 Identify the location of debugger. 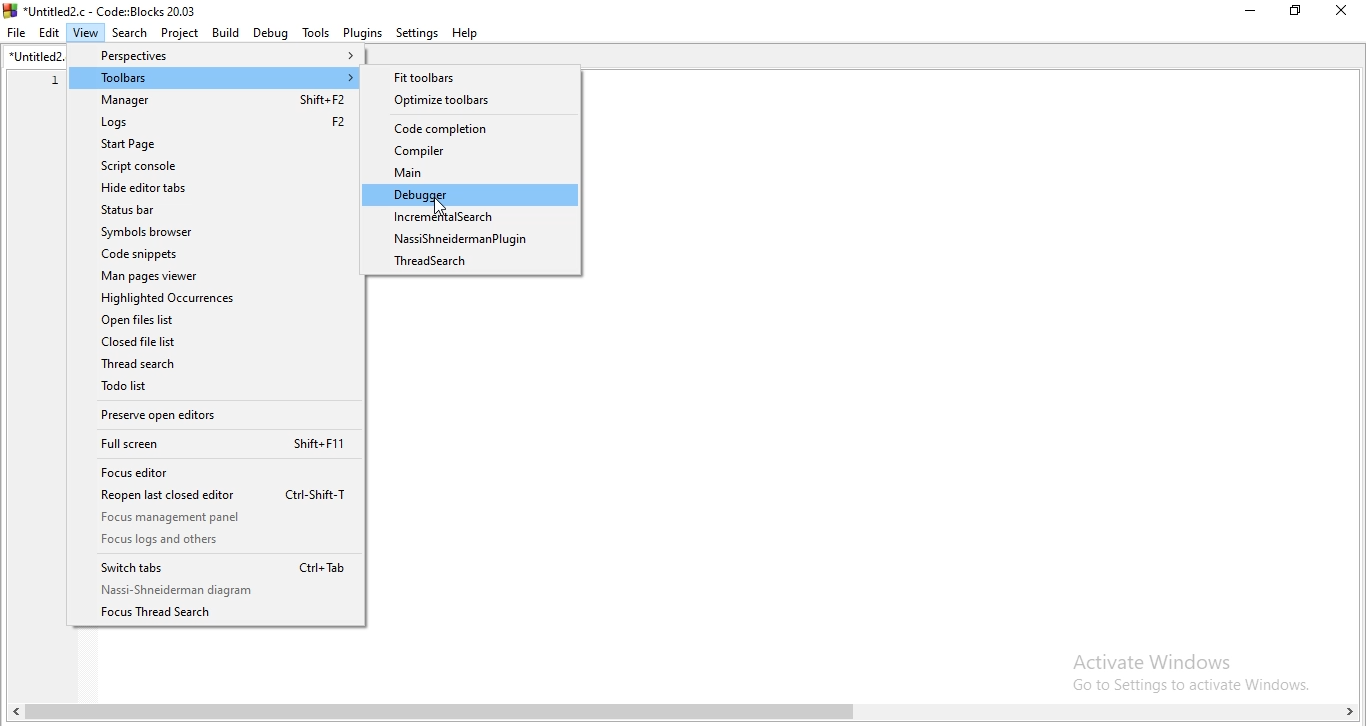
(471, 196).